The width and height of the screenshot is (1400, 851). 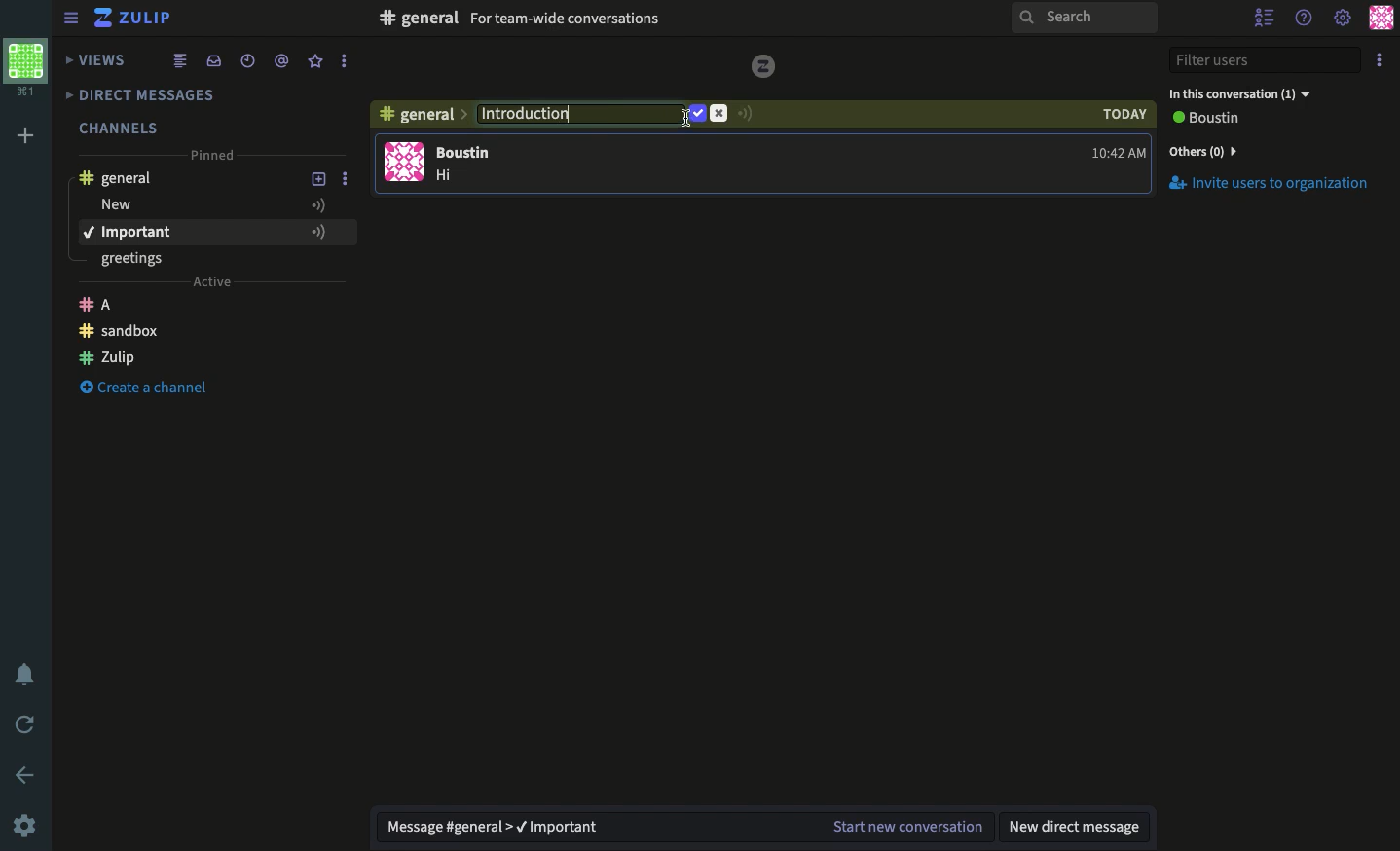 What do you see at coordinates (1119, 153) in the screenshot?
I see `time` at bounding box center [1119, 153].